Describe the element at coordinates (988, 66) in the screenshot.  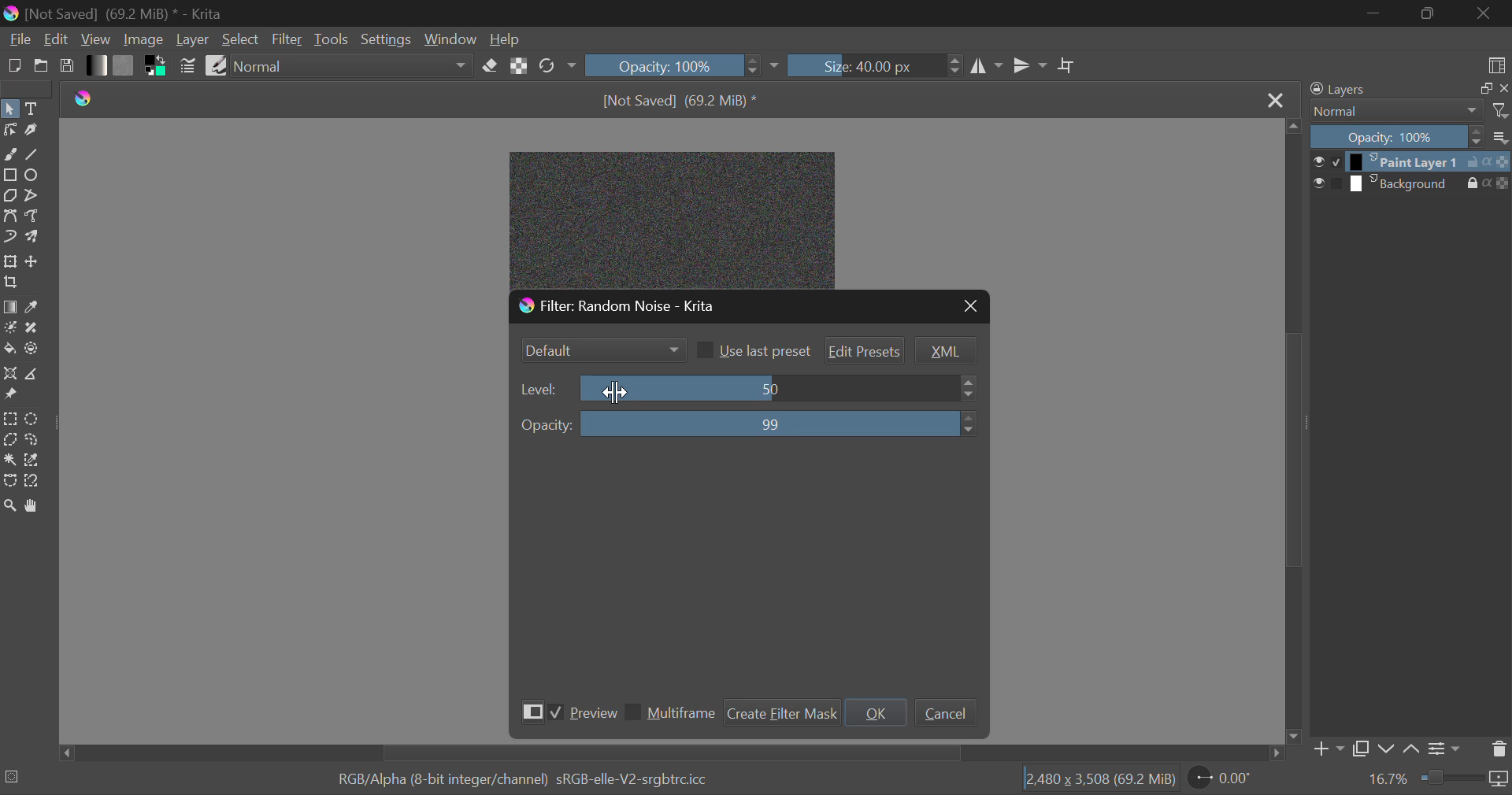
I see `Vertical Mirror Flip` at that location.